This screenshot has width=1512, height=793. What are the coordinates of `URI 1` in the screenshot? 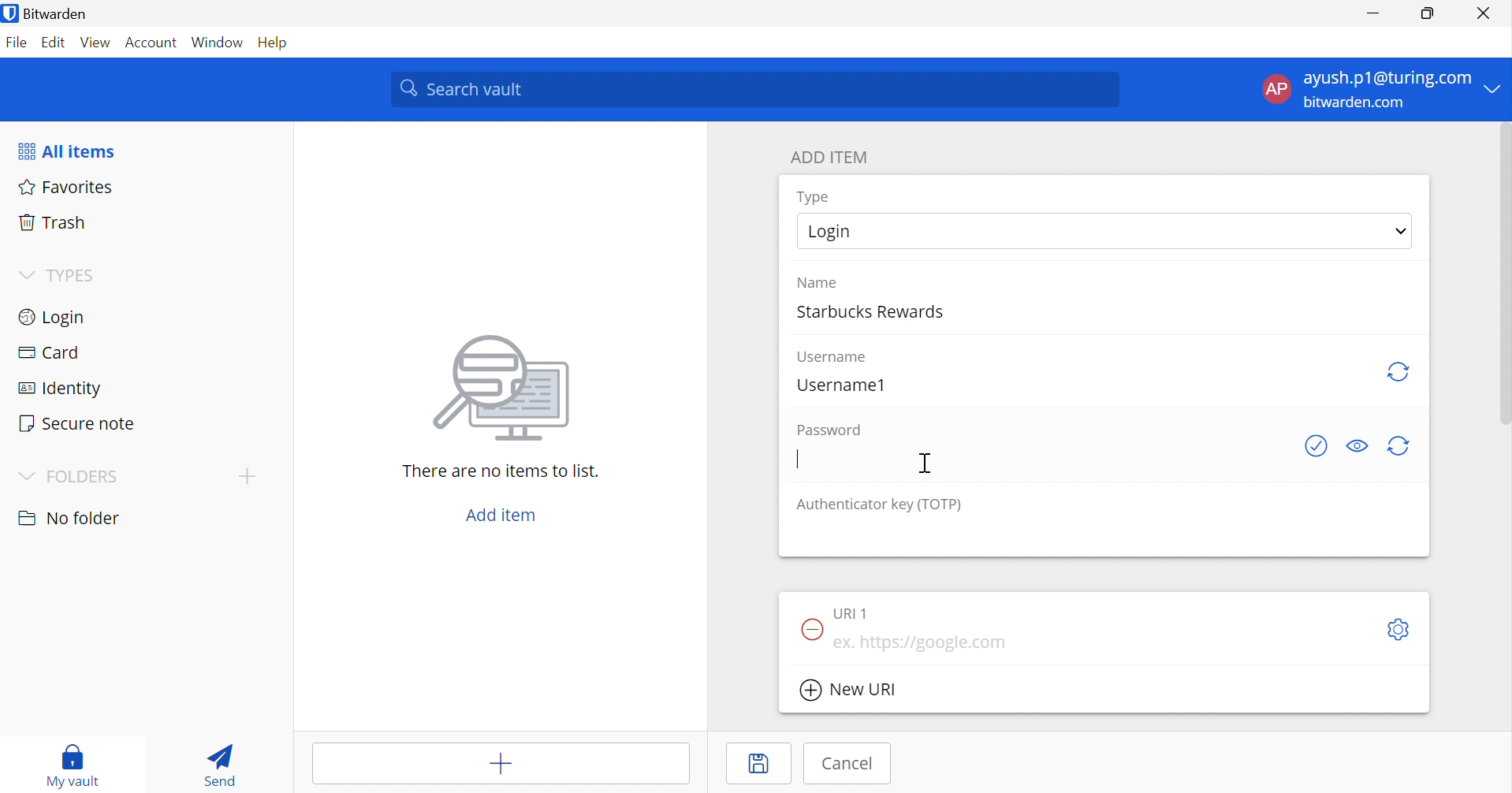 It's located at (855, 613).